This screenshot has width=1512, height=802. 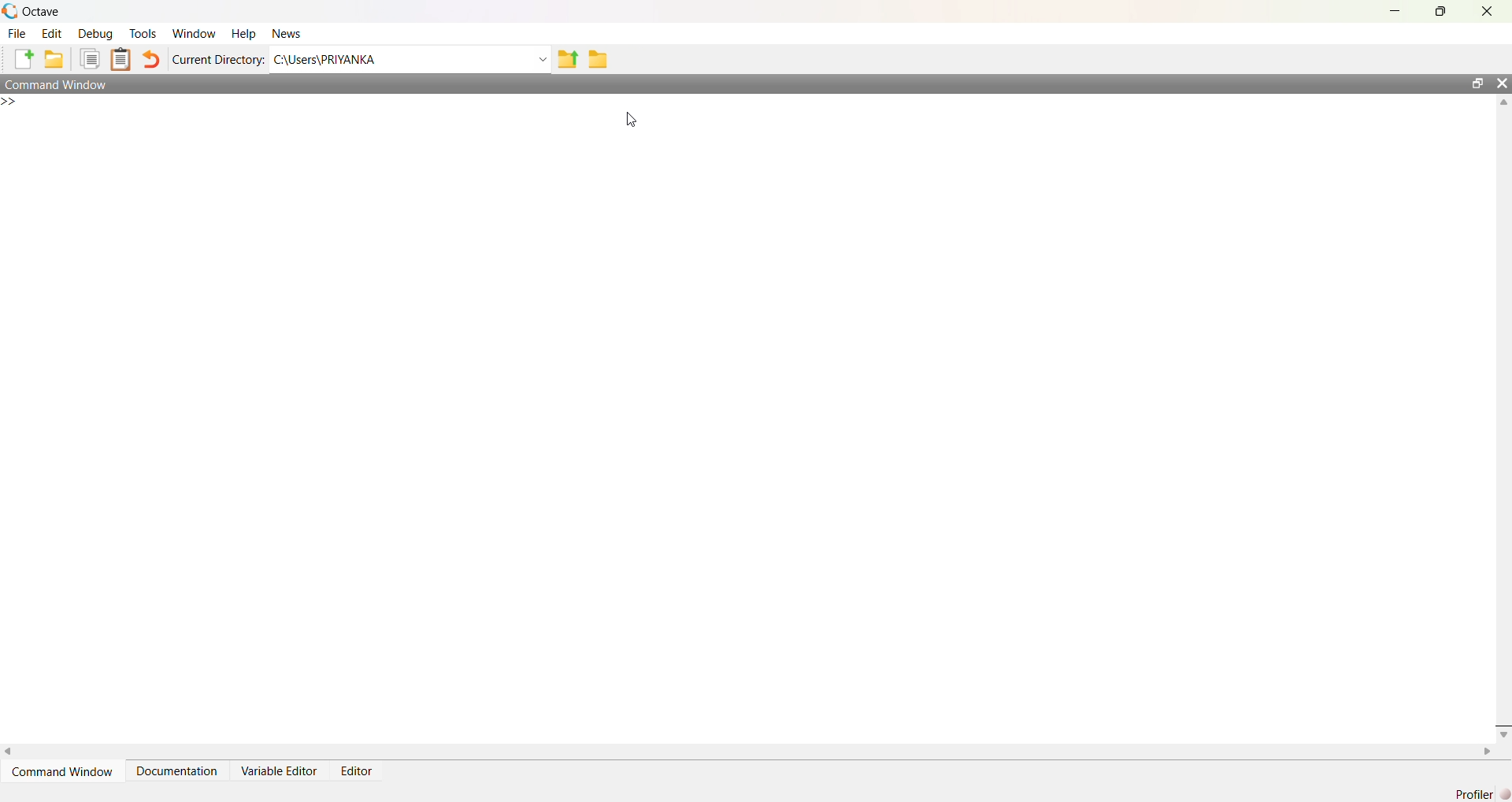 I want to click on Windows, so click(x=197, y=35).